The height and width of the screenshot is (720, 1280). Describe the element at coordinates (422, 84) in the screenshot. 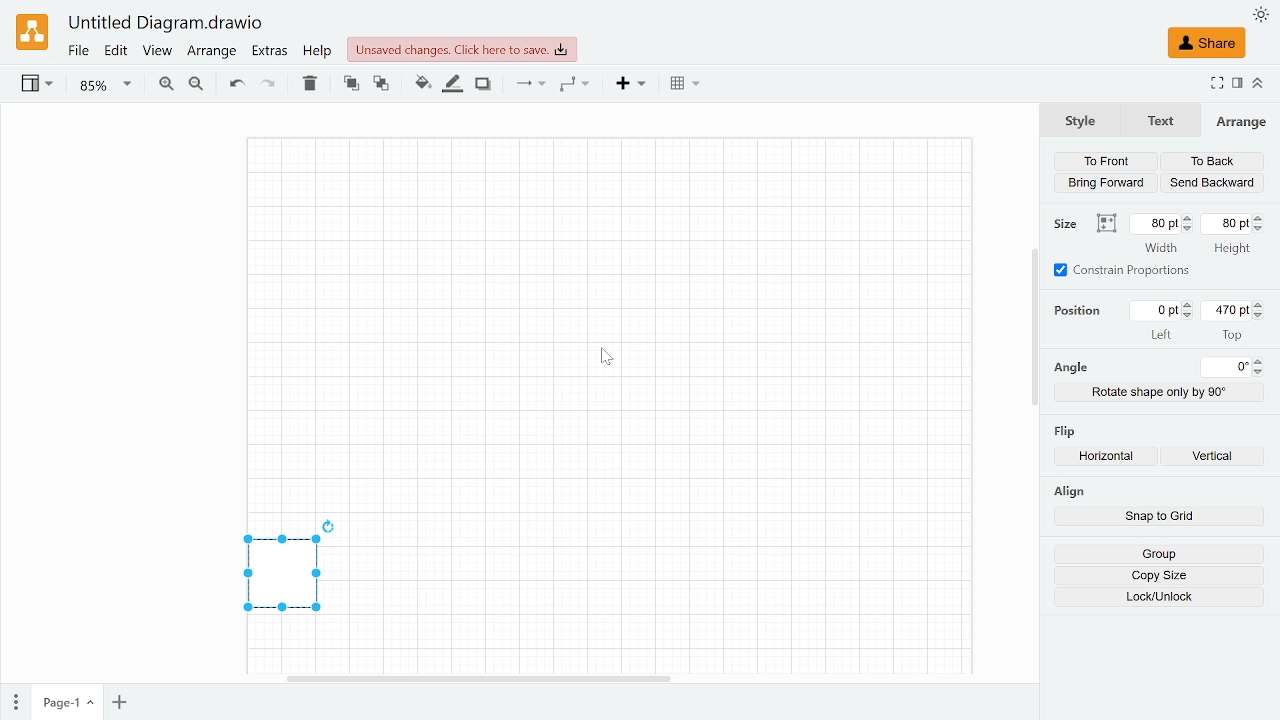

I see `Fill color` at that location.